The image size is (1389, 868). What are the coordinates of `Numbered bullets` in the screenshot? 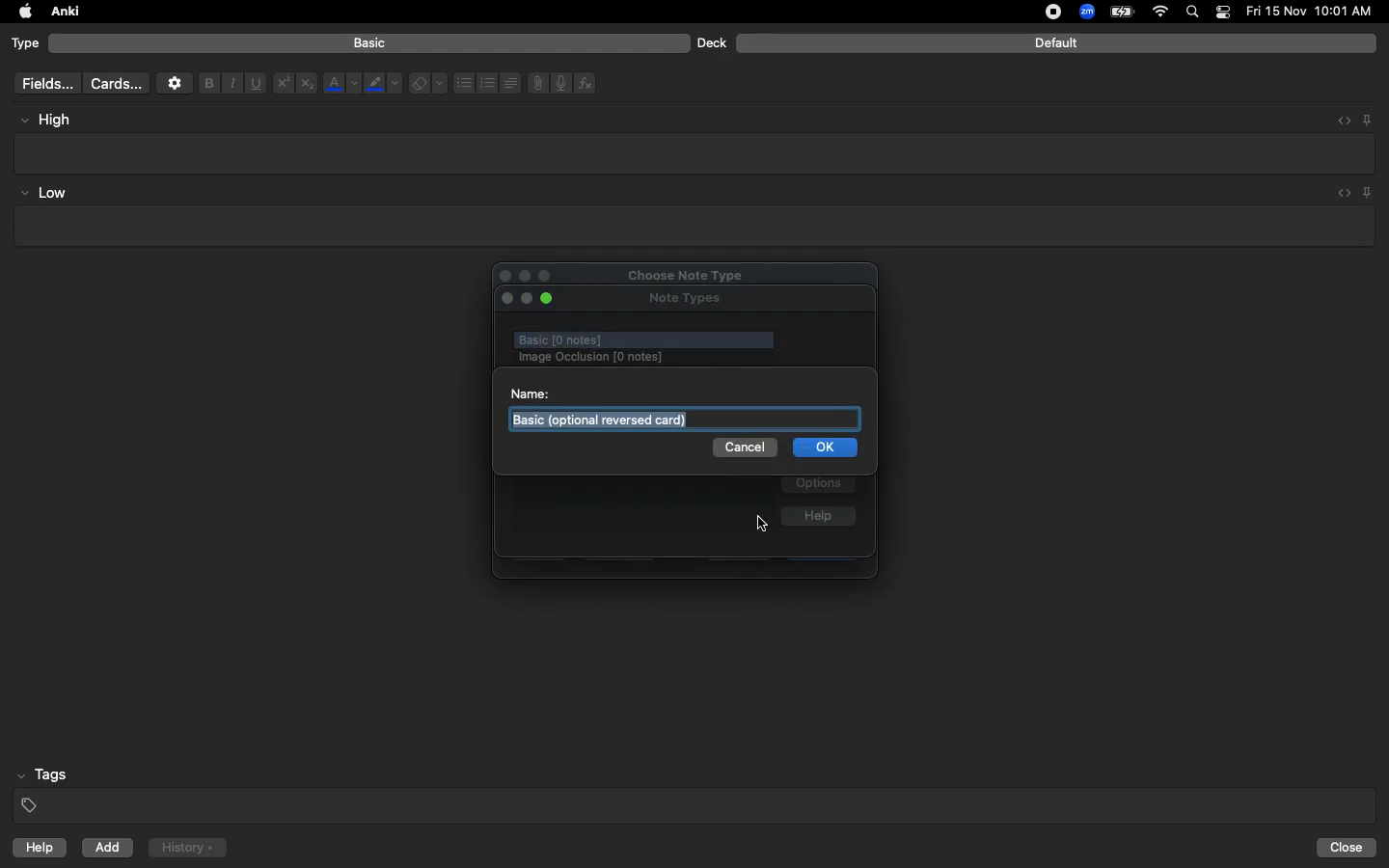 It's located at (488, 83).